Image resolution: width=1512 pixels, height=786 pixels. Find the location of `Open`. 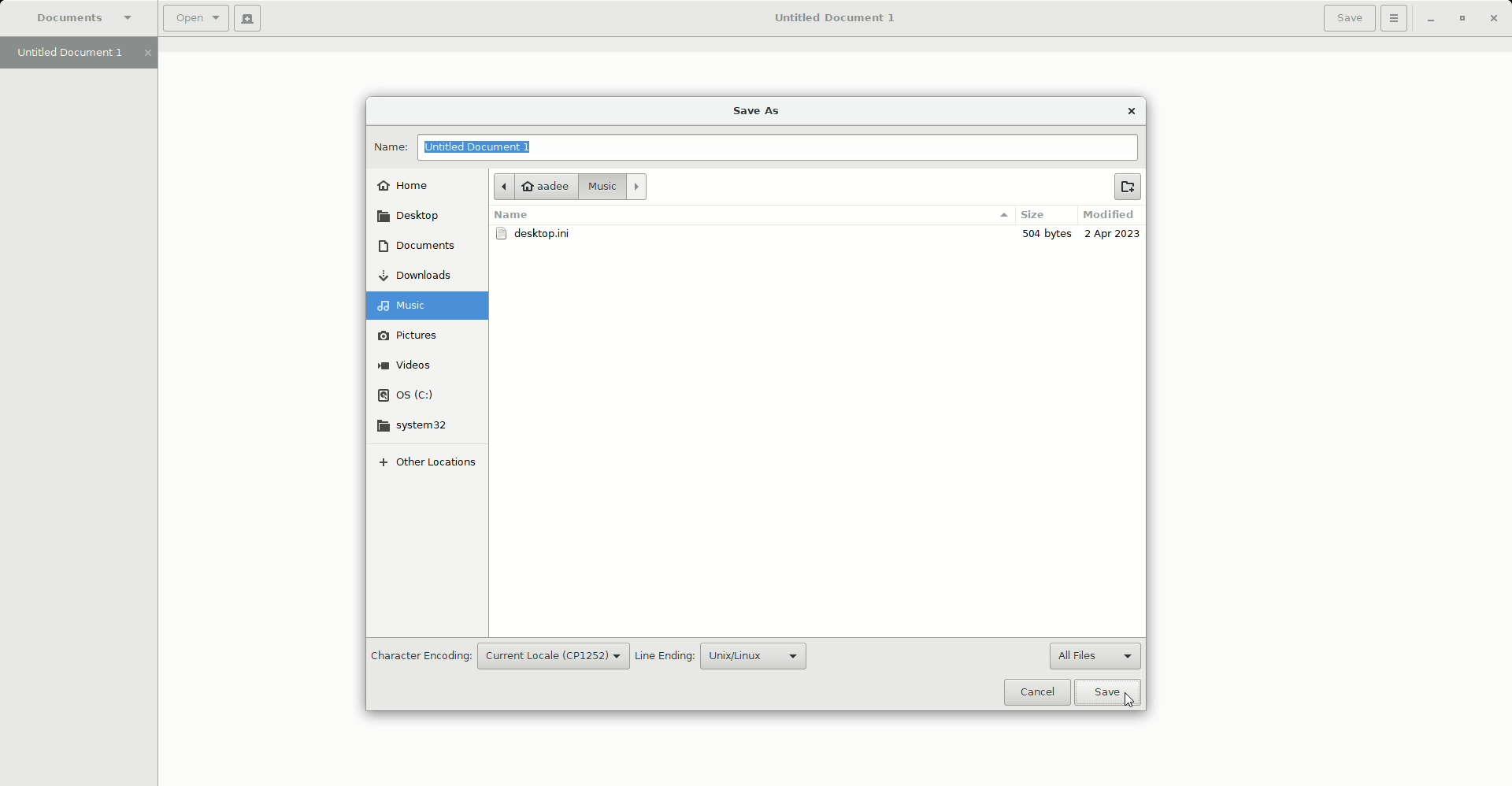

Open is located at coordinates (191, 18).